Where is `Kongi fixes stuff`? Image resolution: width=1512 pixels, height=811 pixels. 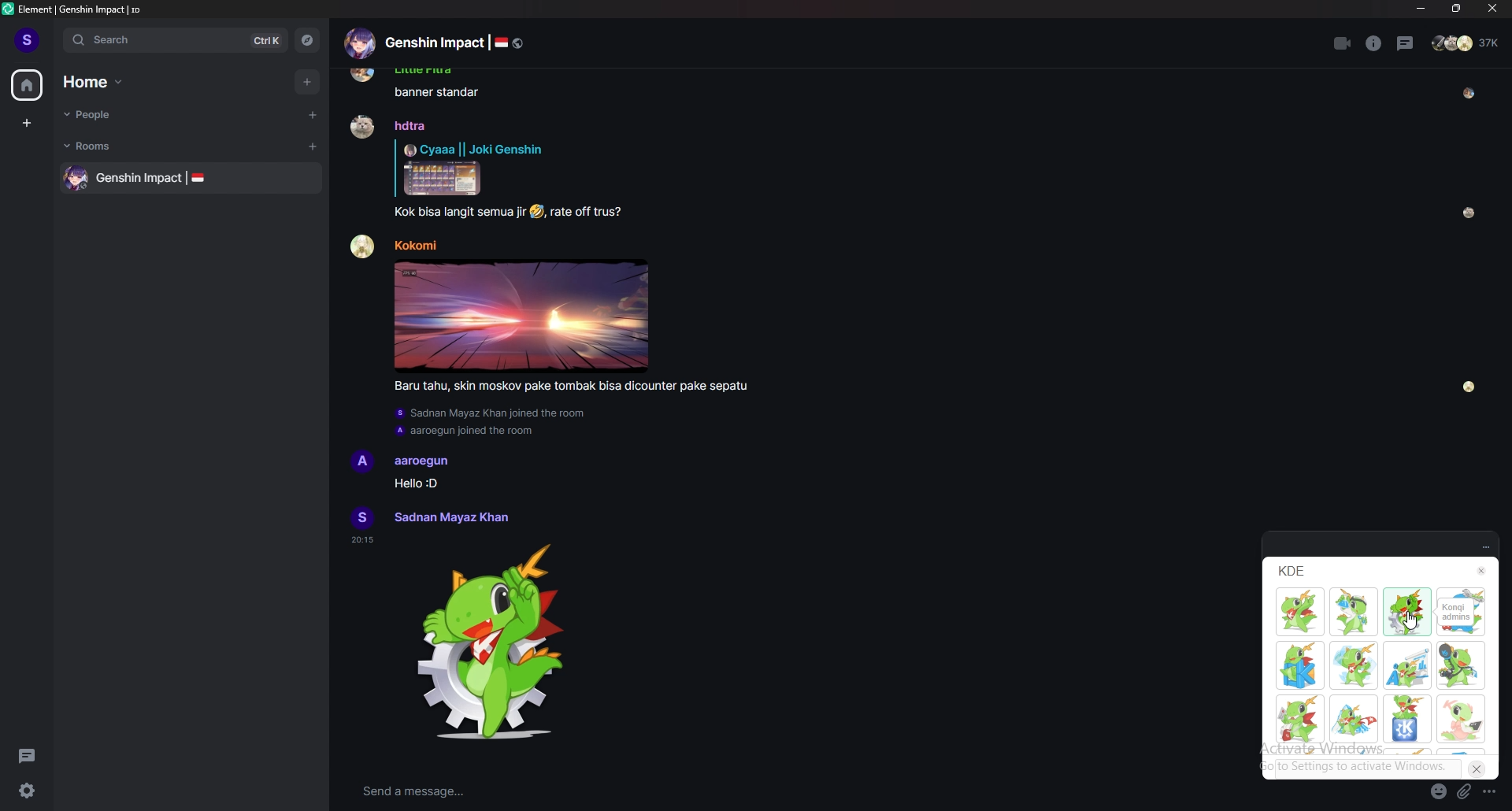
Kongi fixes stuff is located at coordinates (1461, 592).